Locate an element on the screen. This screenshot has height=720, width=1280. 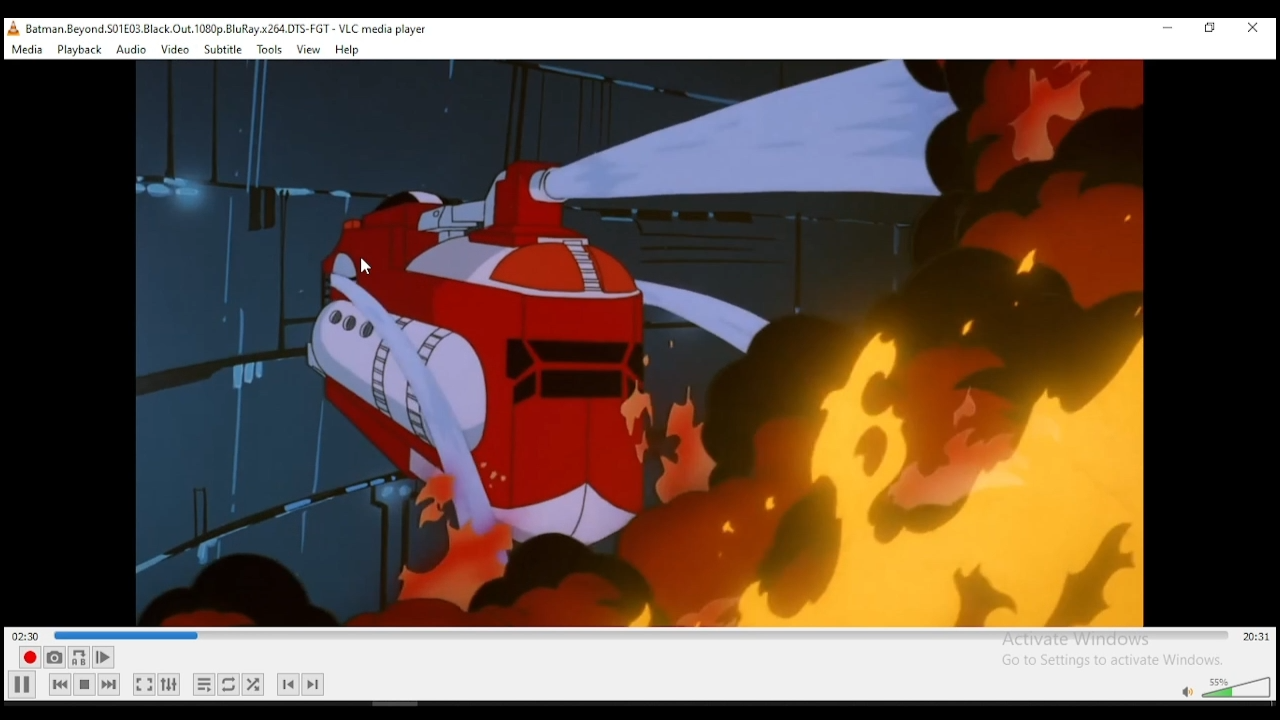
minimize is located at coordinates (1163, 30).